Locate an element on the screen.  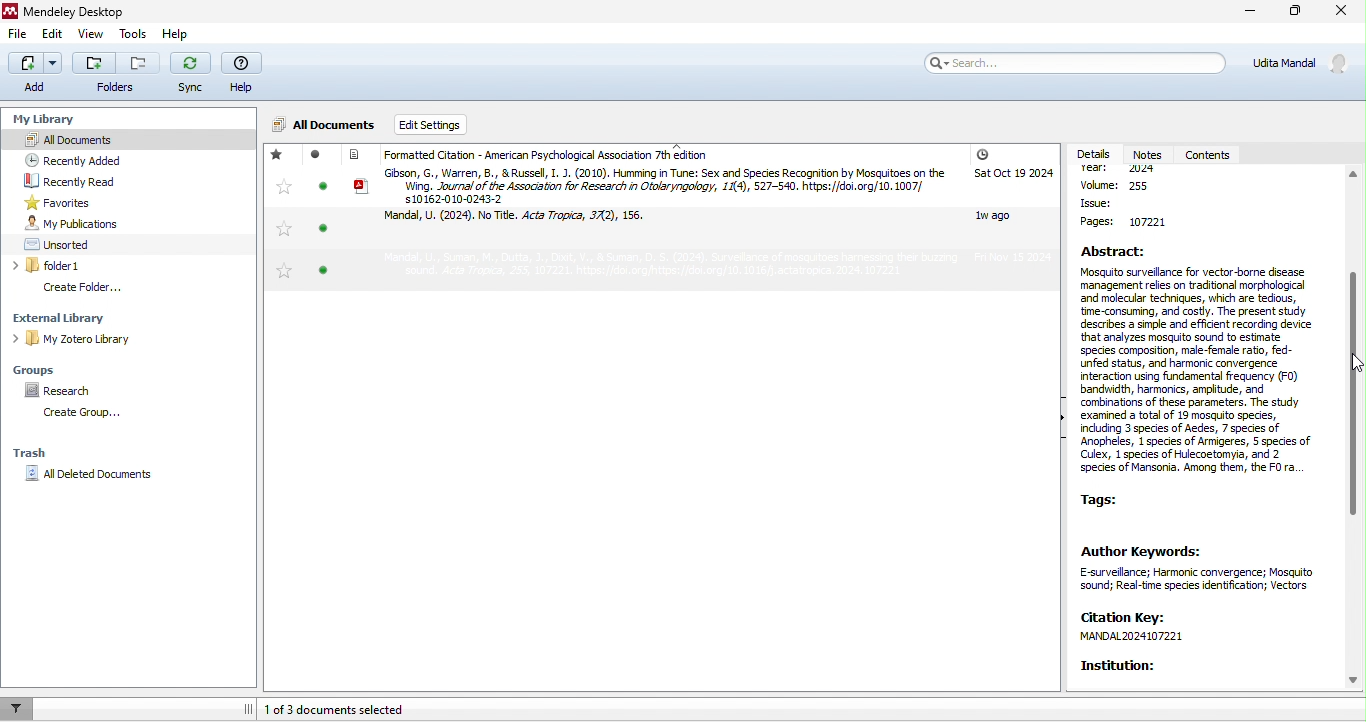
all deleted documents is located at coordinates (100, 477).